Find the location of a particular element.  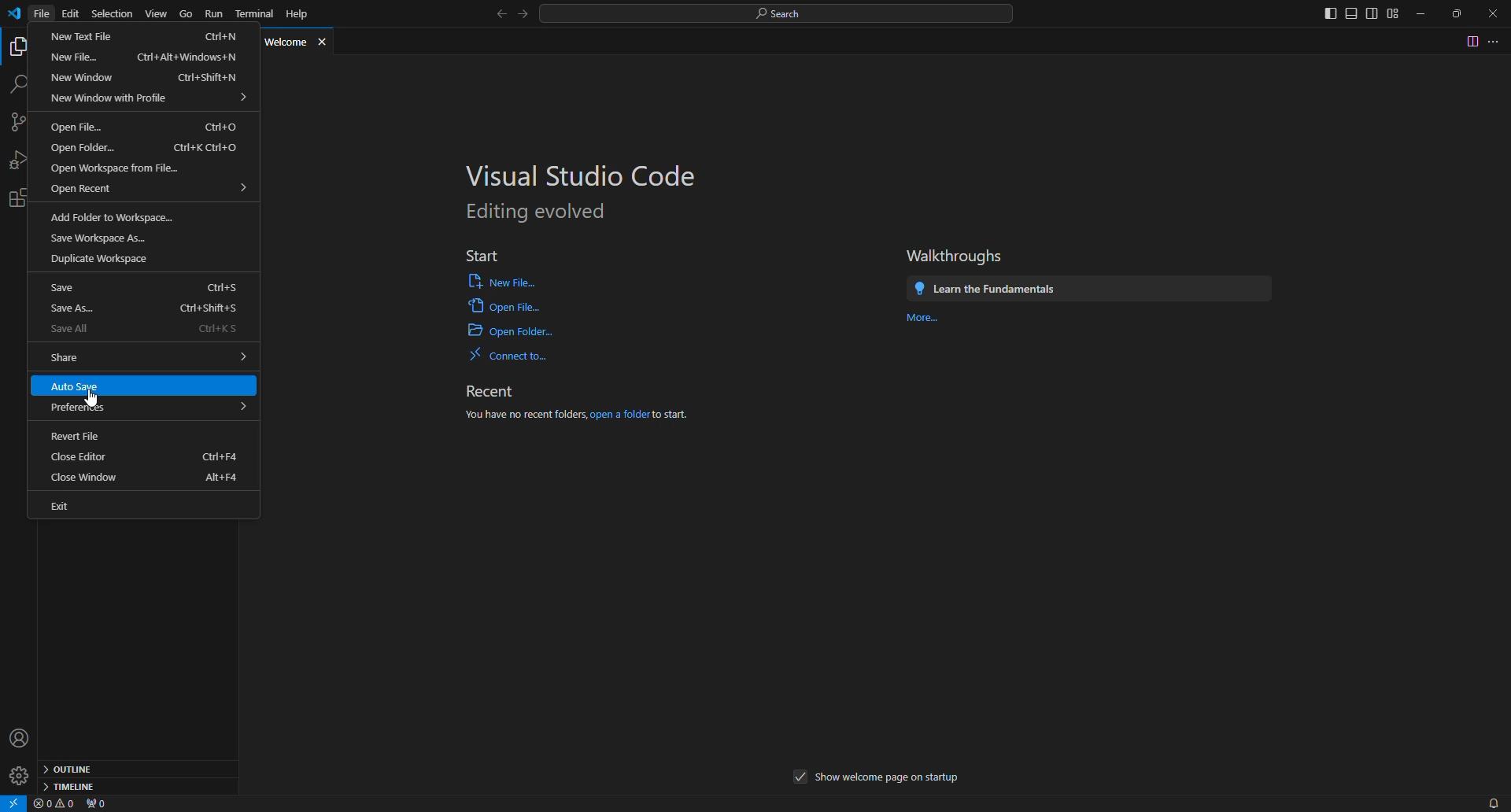

ctrl+f4 is located at coordinates (220, 456).